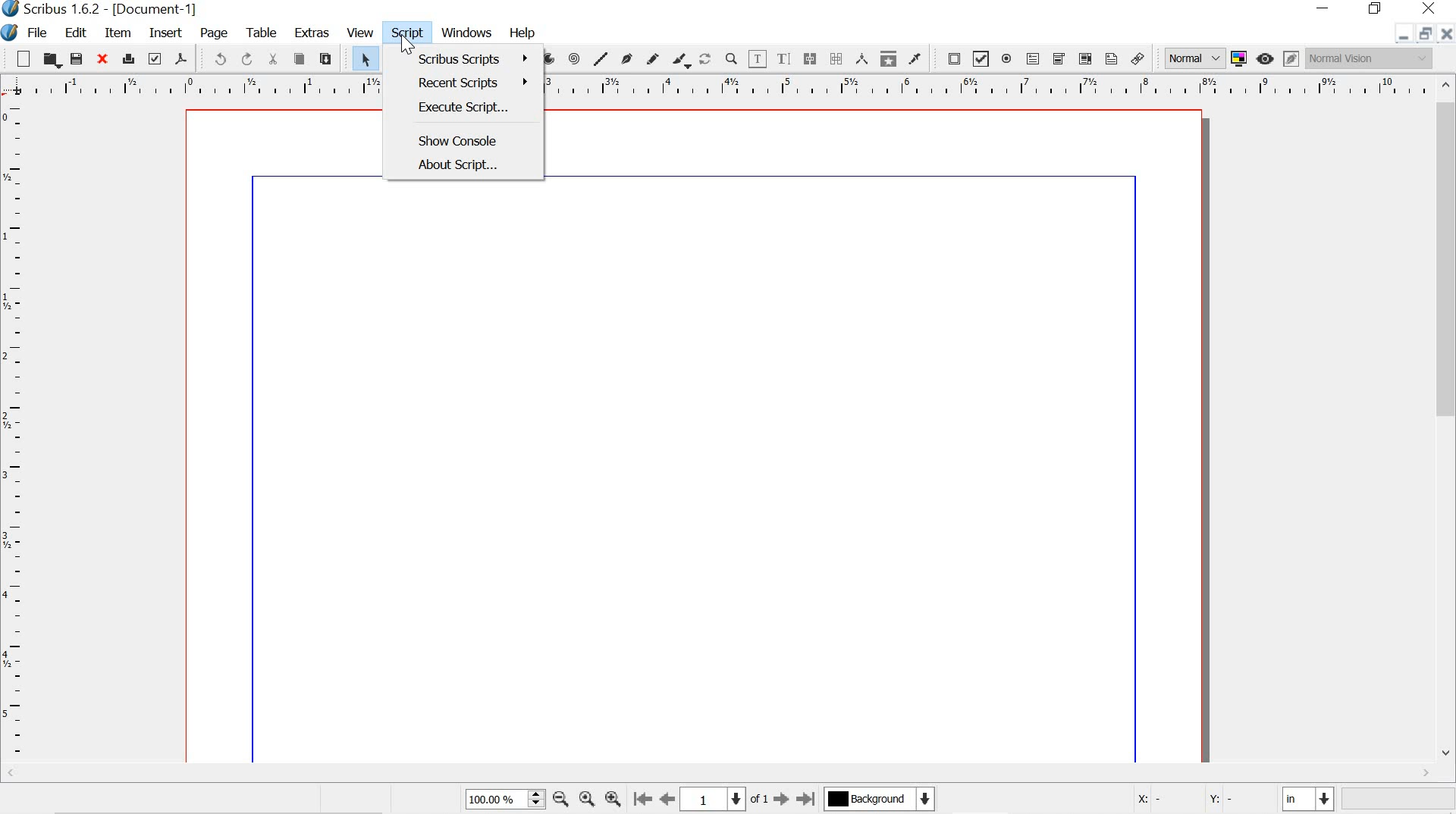 The image size is (1456, 814). What do you see at coordinates (1447, 421) in the screenshot?
I see `scrollbar` at bounding box center [1447, 421].